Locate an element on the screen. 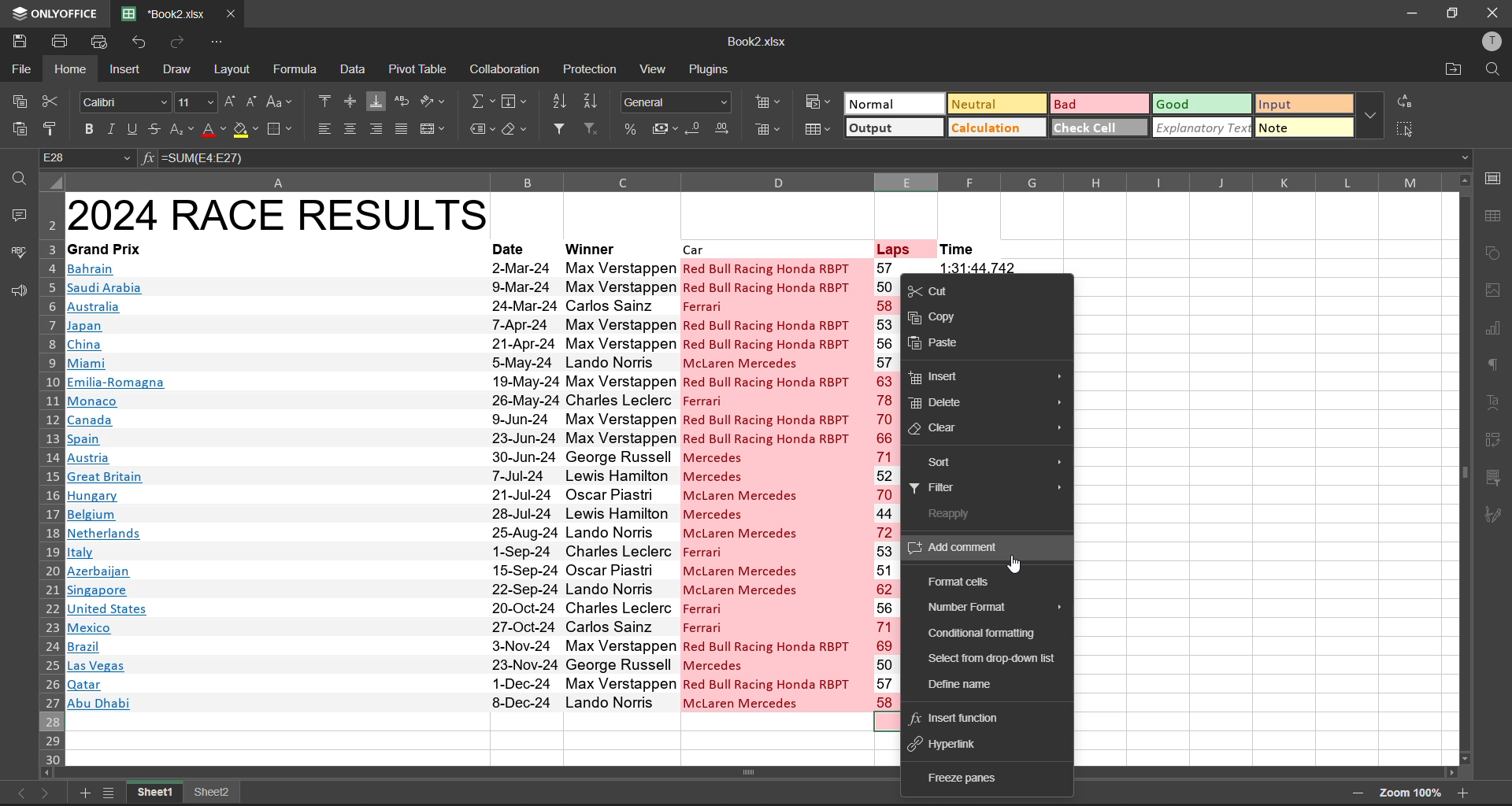 The width and height of the screenshot is (1512, 806). sheet list is located at coordinates (109, 793).